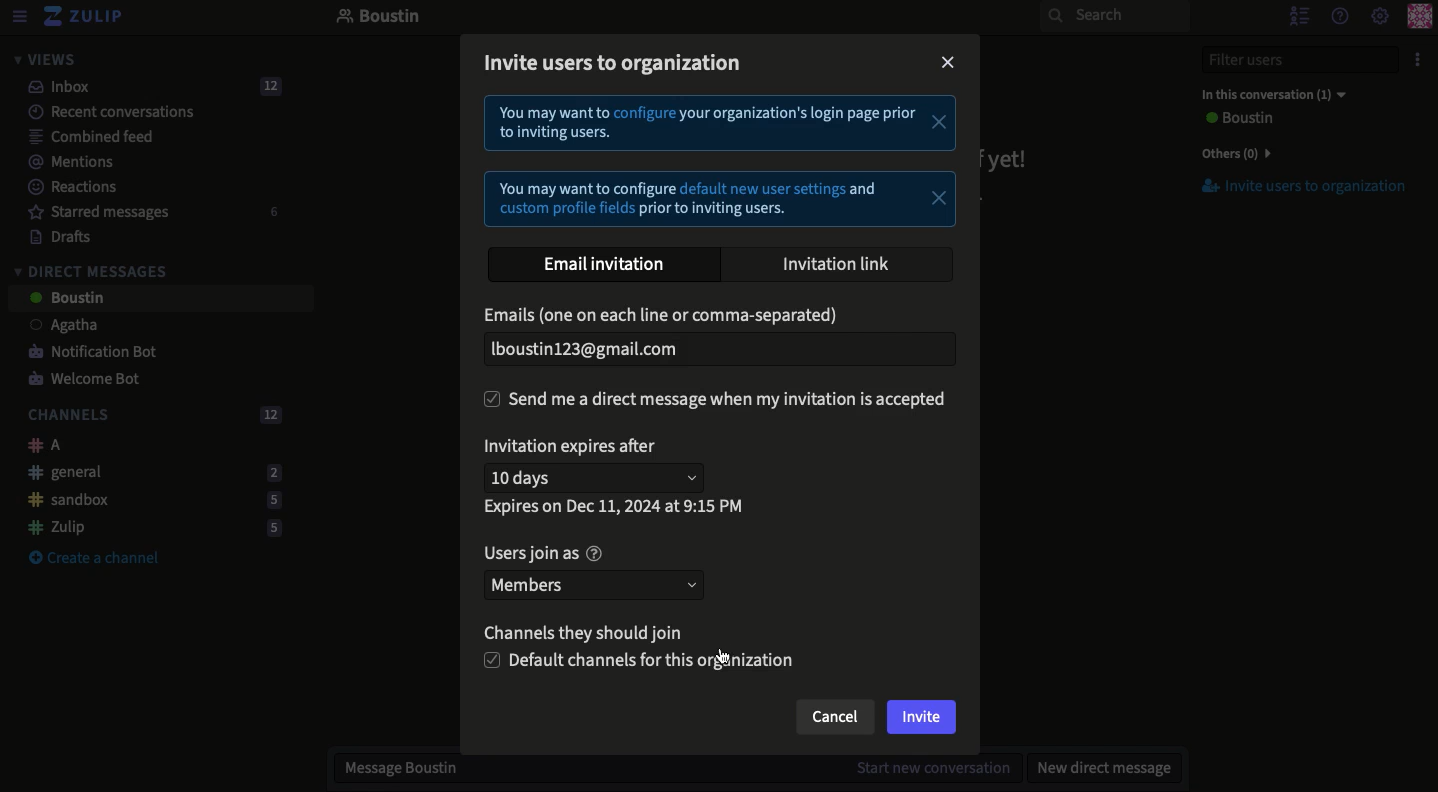  Describe the element at coordinates (576, 446) in the screenshot. I see `Invitation expires after` at that location.